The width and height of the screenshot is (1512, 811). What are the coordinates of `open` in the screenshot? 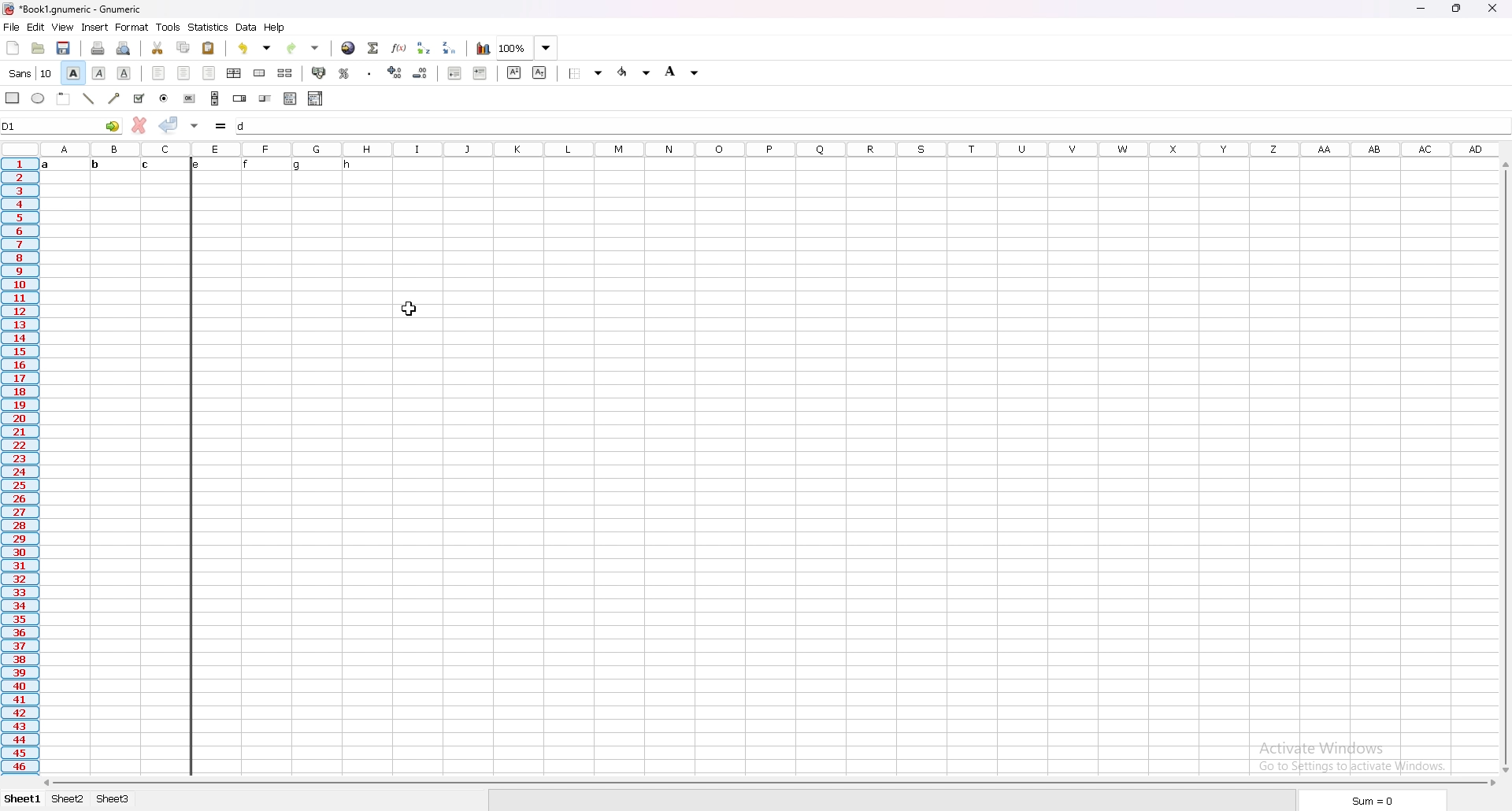 It's located at (38, 48).